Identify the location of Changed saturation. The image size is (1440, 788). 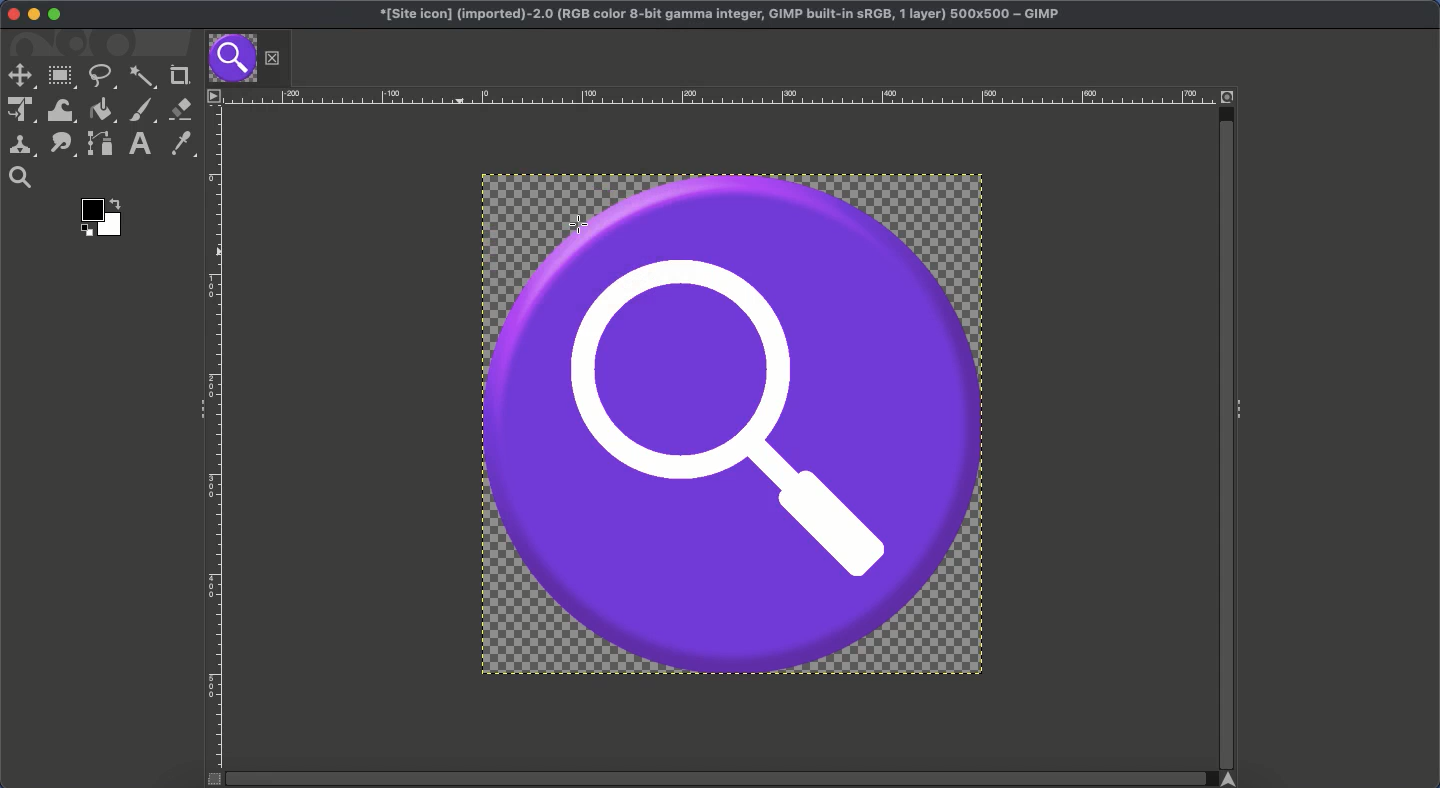
(732, 423).